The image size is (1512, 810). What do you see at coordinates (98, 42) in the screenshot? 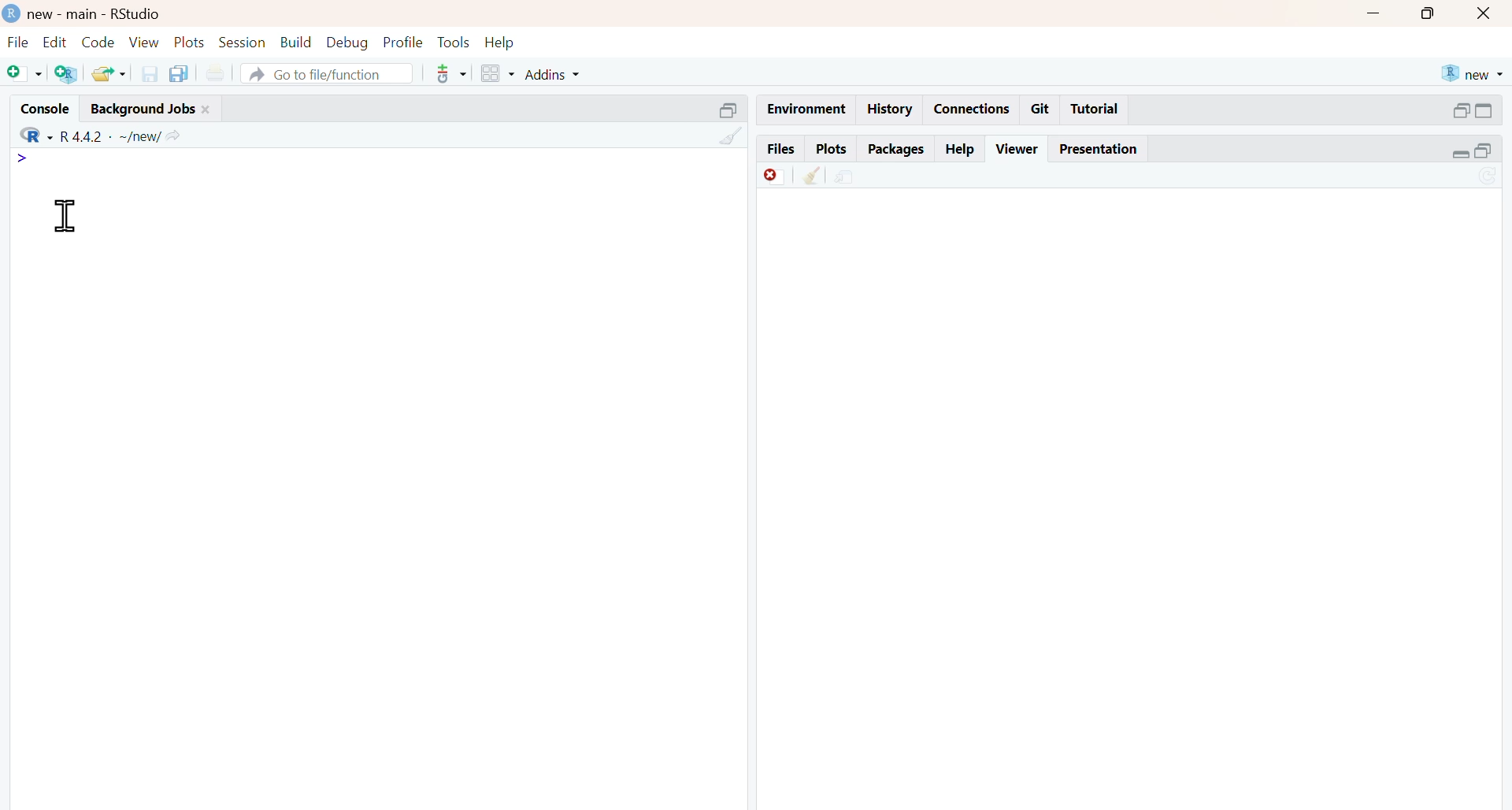
I see `code` at bounding box center [98, 42].